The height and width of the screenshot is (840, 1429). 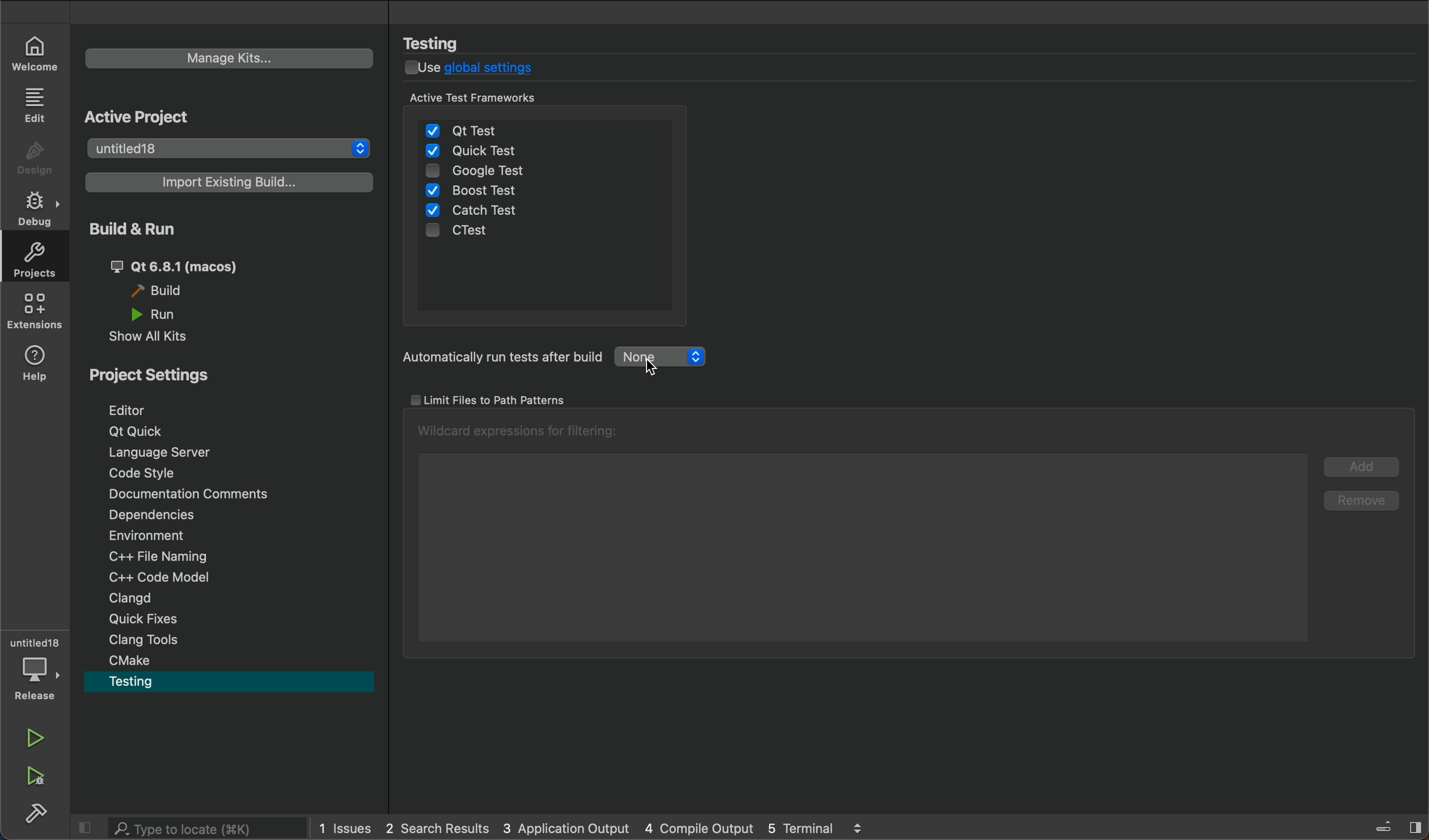 What do you see at coordinates (602, 830) in the screenshot?
I see `logs` at bounding box center [602, 830].